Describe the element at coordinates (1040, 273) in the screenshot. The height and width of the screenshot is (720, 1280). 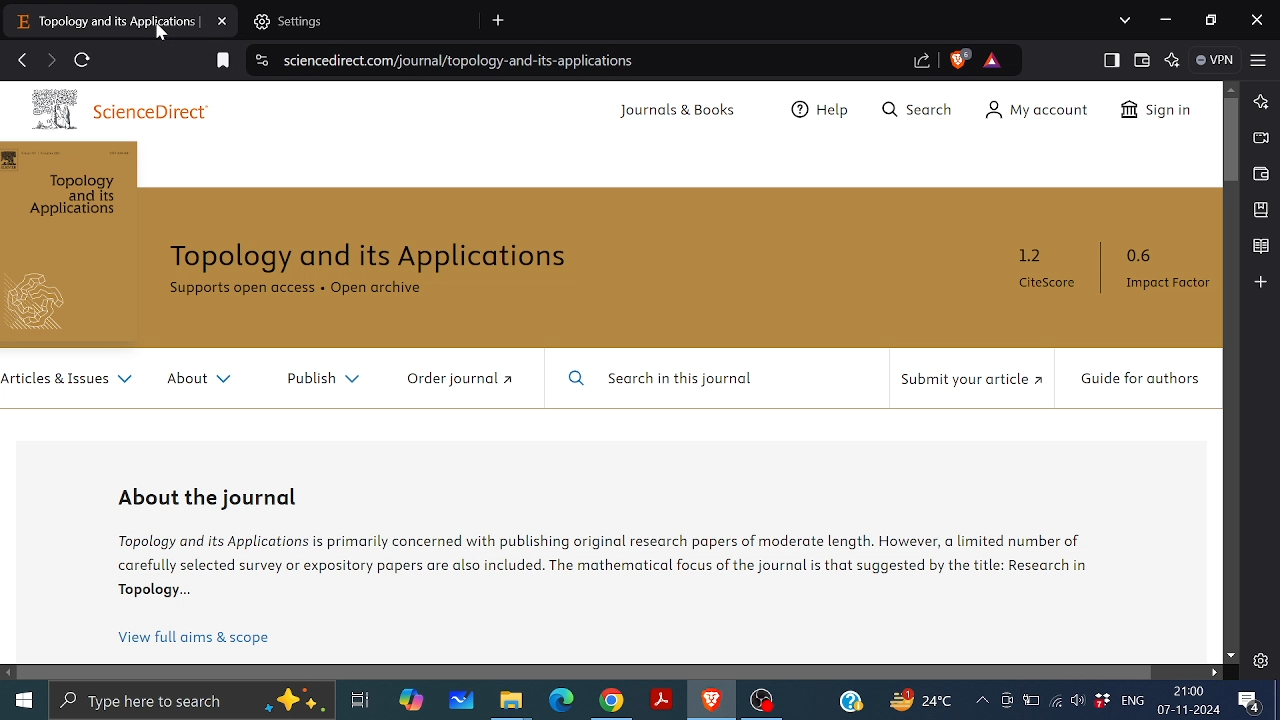
I see `12
Citescore` at that location.